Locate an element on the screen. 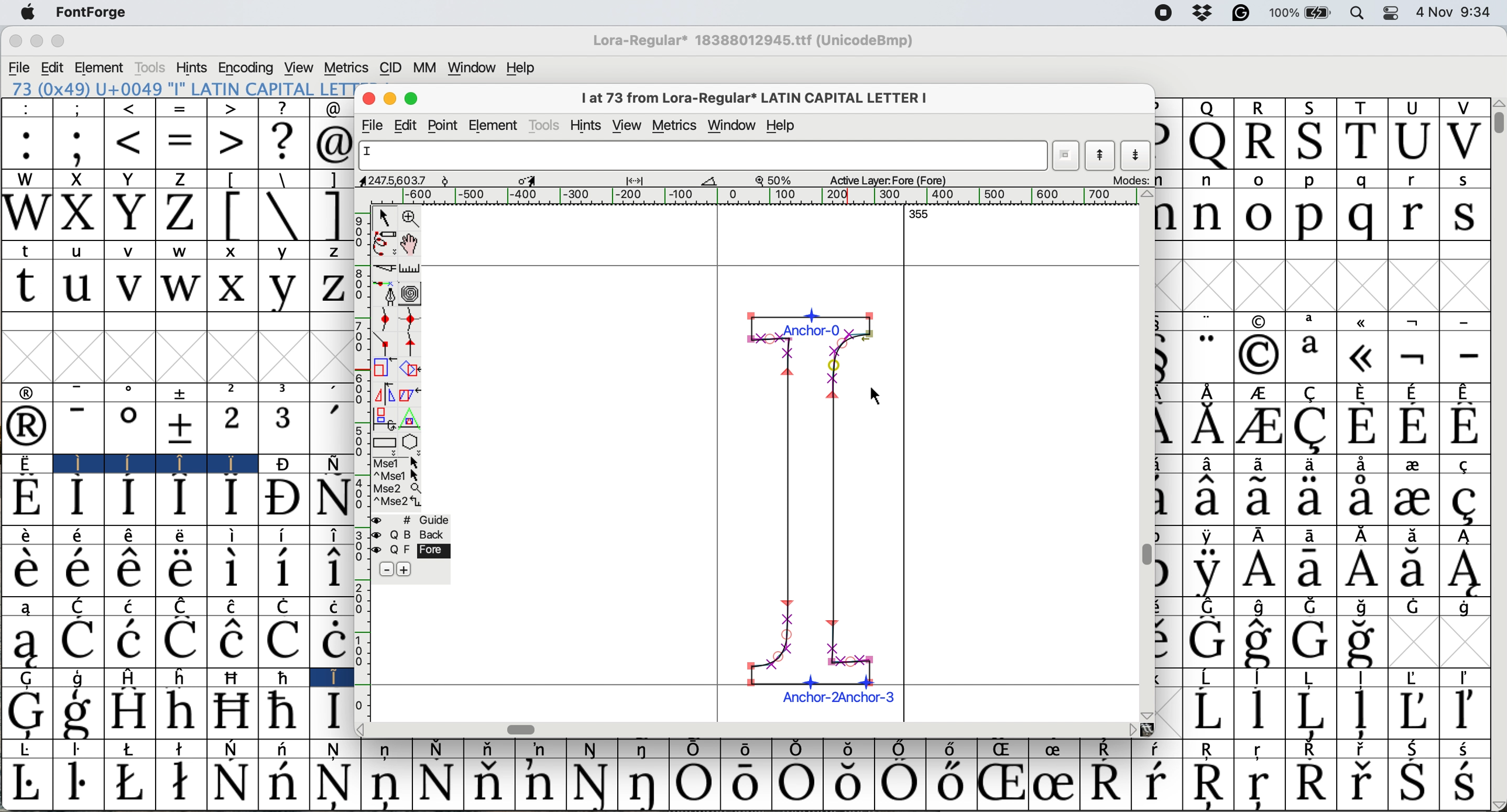  file is located at coordinates (375, 125).